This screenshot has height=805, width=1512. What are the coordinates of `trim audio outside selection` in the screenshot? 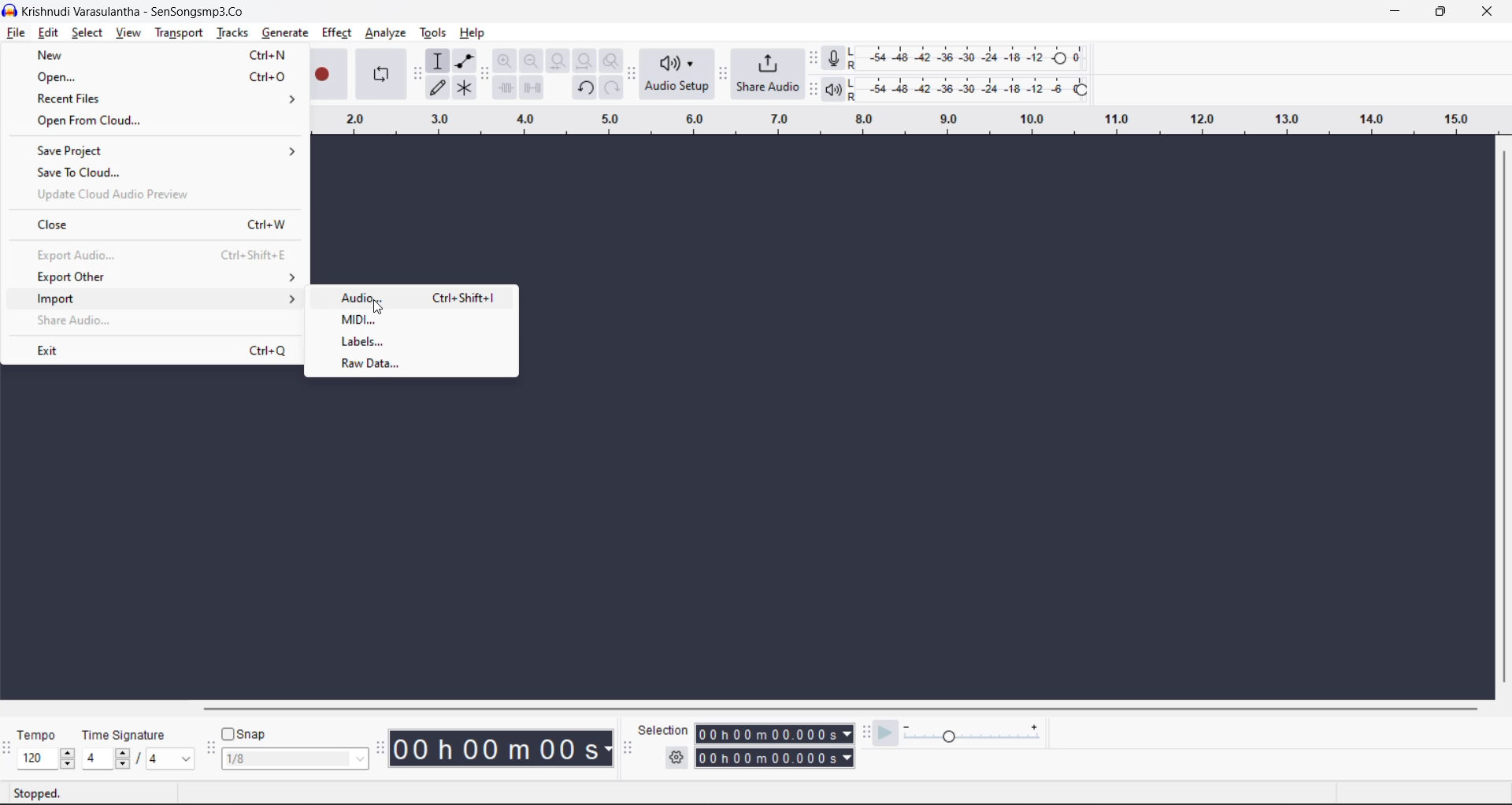 It's located at (506, 88).